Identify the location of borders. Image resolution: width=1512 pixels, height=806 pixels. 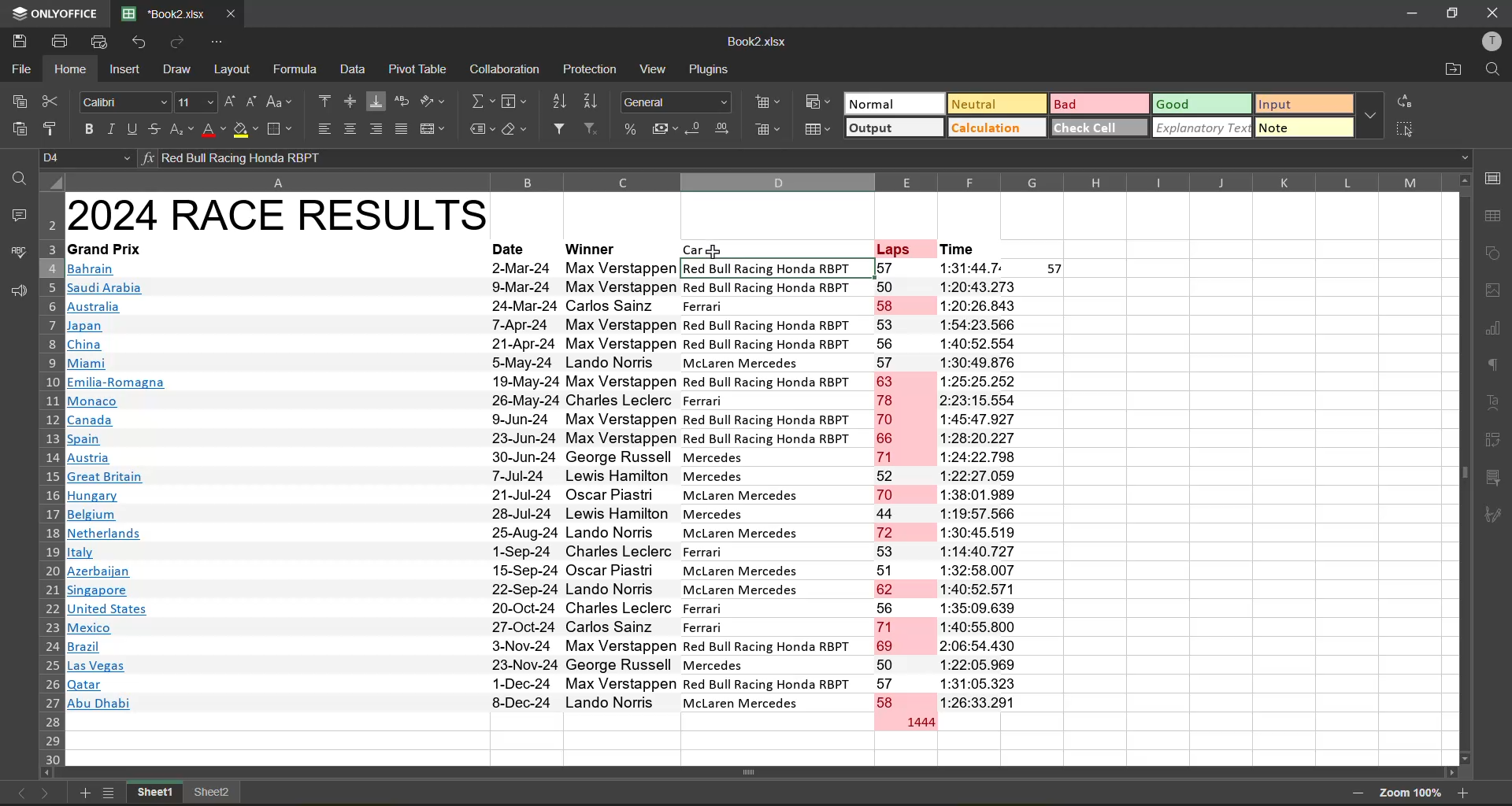
(279, 129).